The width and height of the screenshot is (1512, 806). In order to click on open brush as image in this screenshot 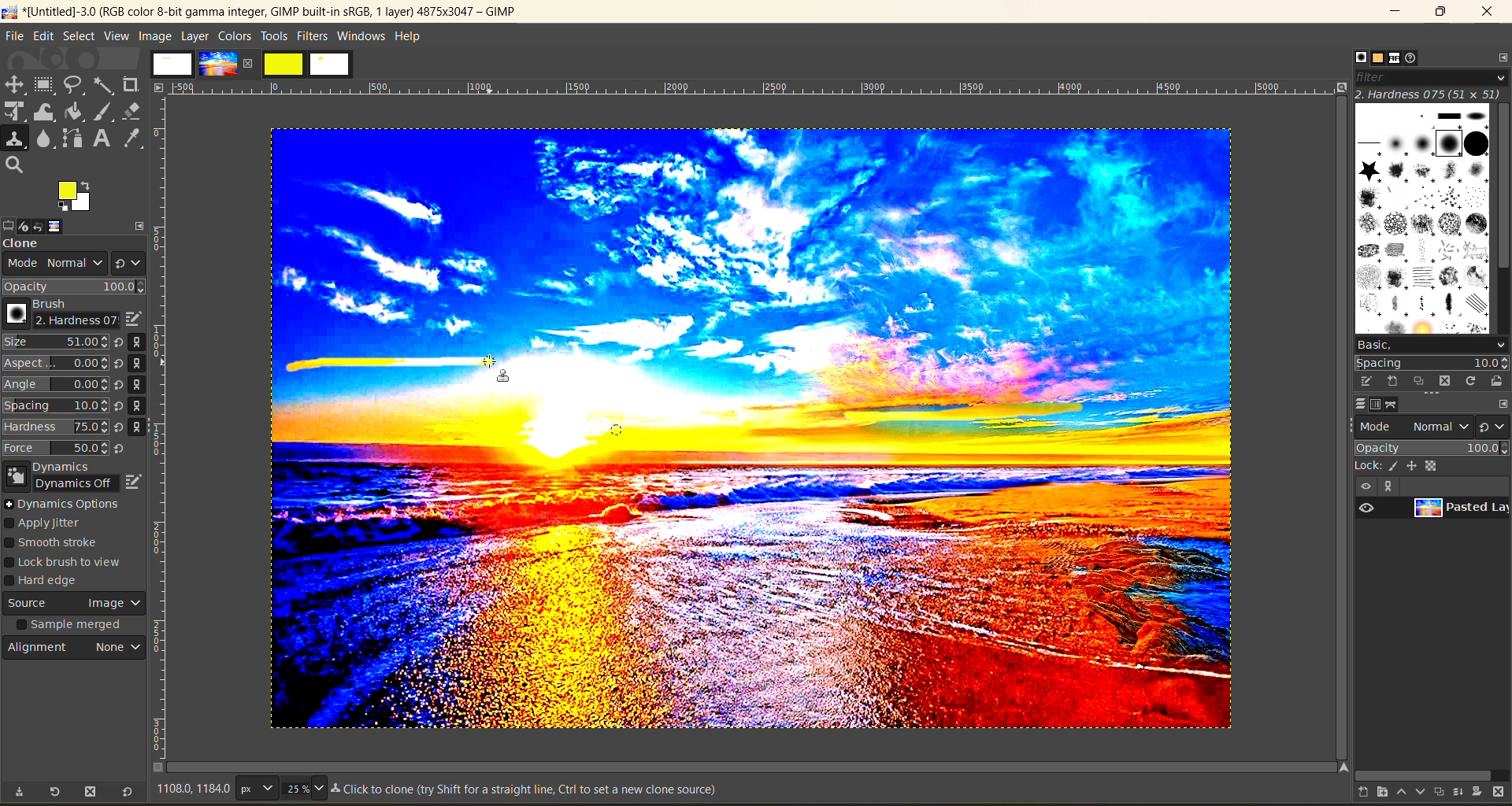, I will do `click(1495, 382)`.